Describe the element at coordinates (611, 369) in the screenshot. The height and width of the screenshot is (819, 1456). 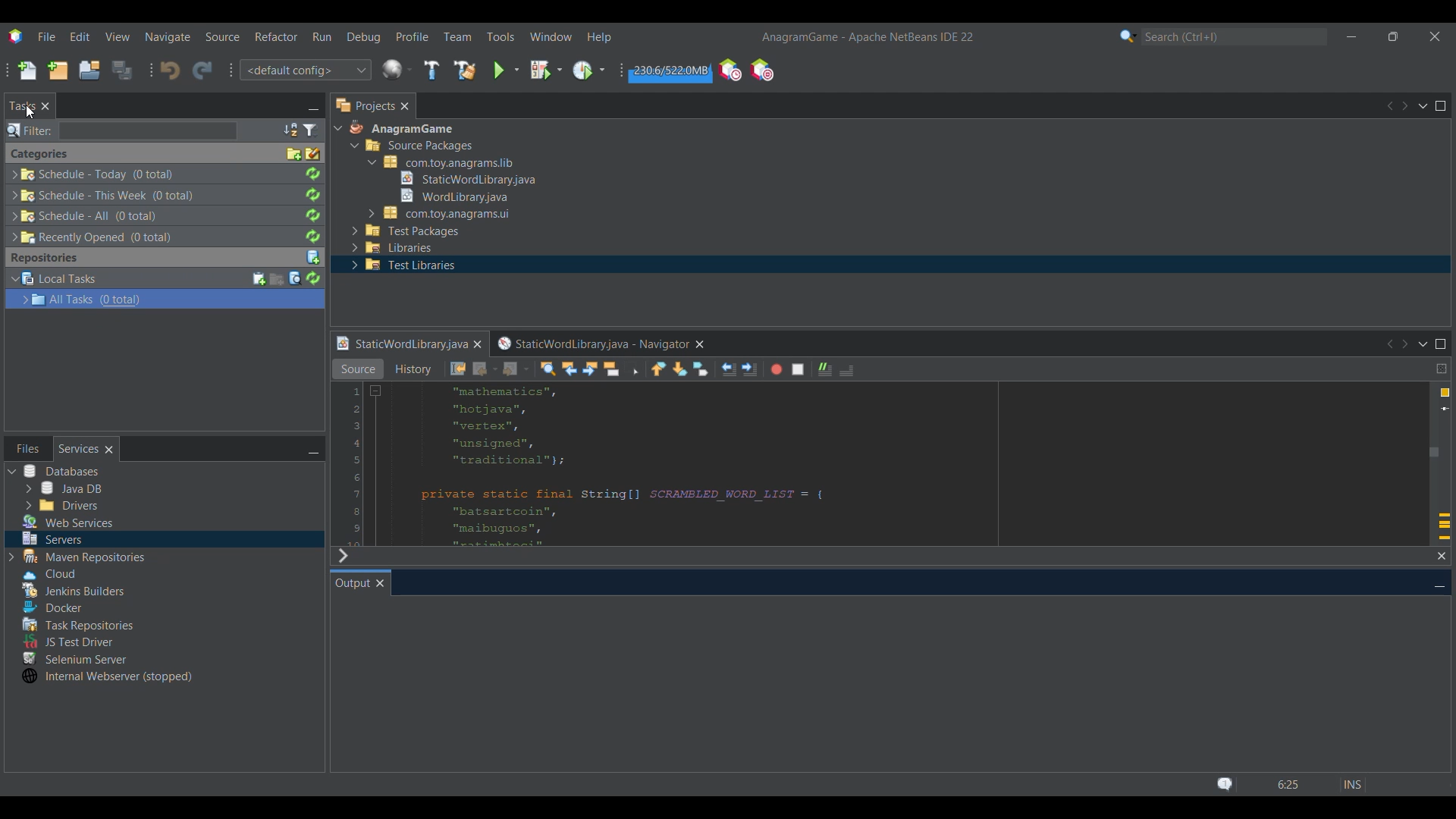
I see `Toggle highlight search` at that location.